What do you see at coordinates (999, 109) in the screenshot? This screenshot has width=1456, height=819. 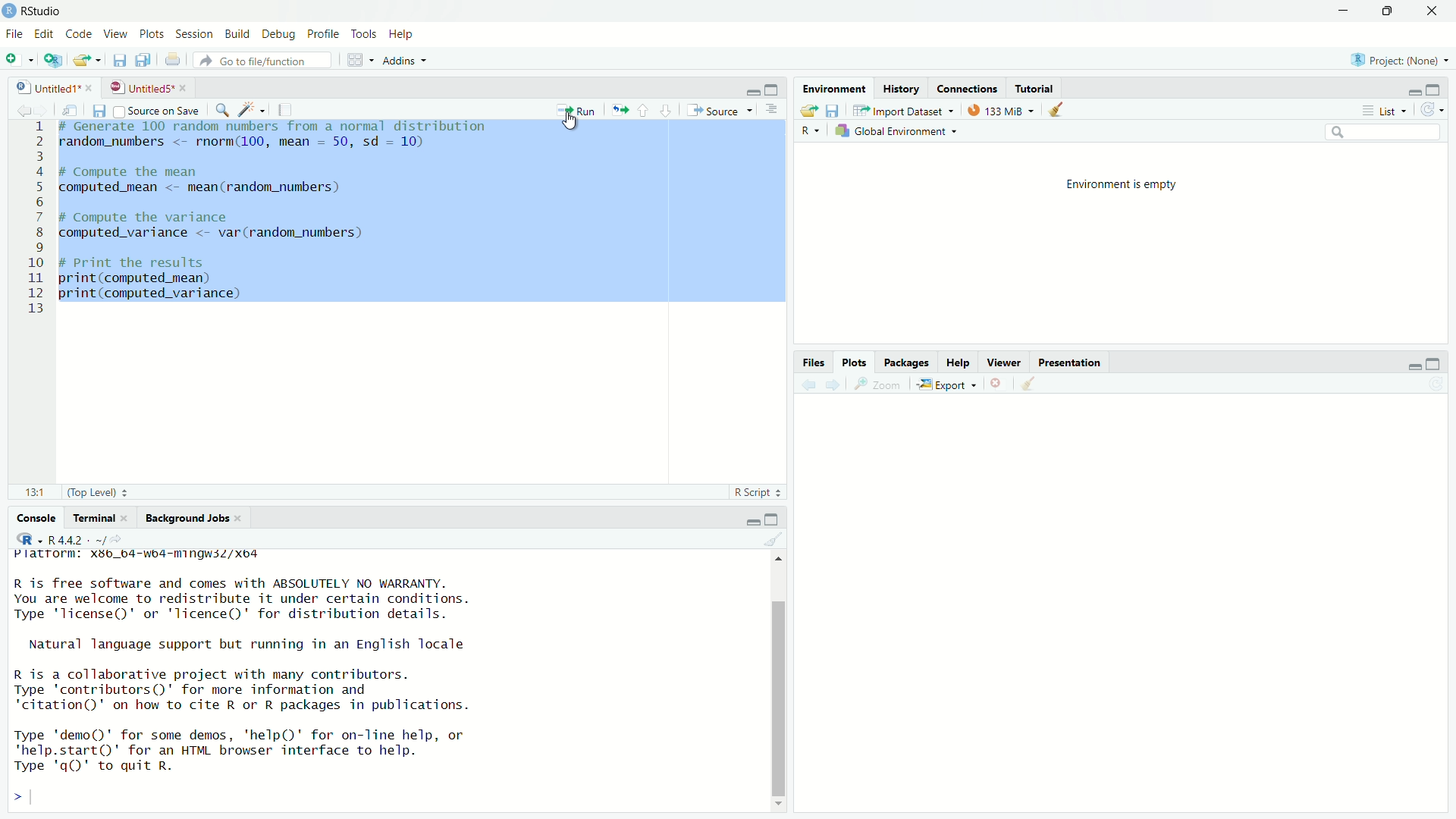 I see `133 MiB` at bounding box center [999, 109].